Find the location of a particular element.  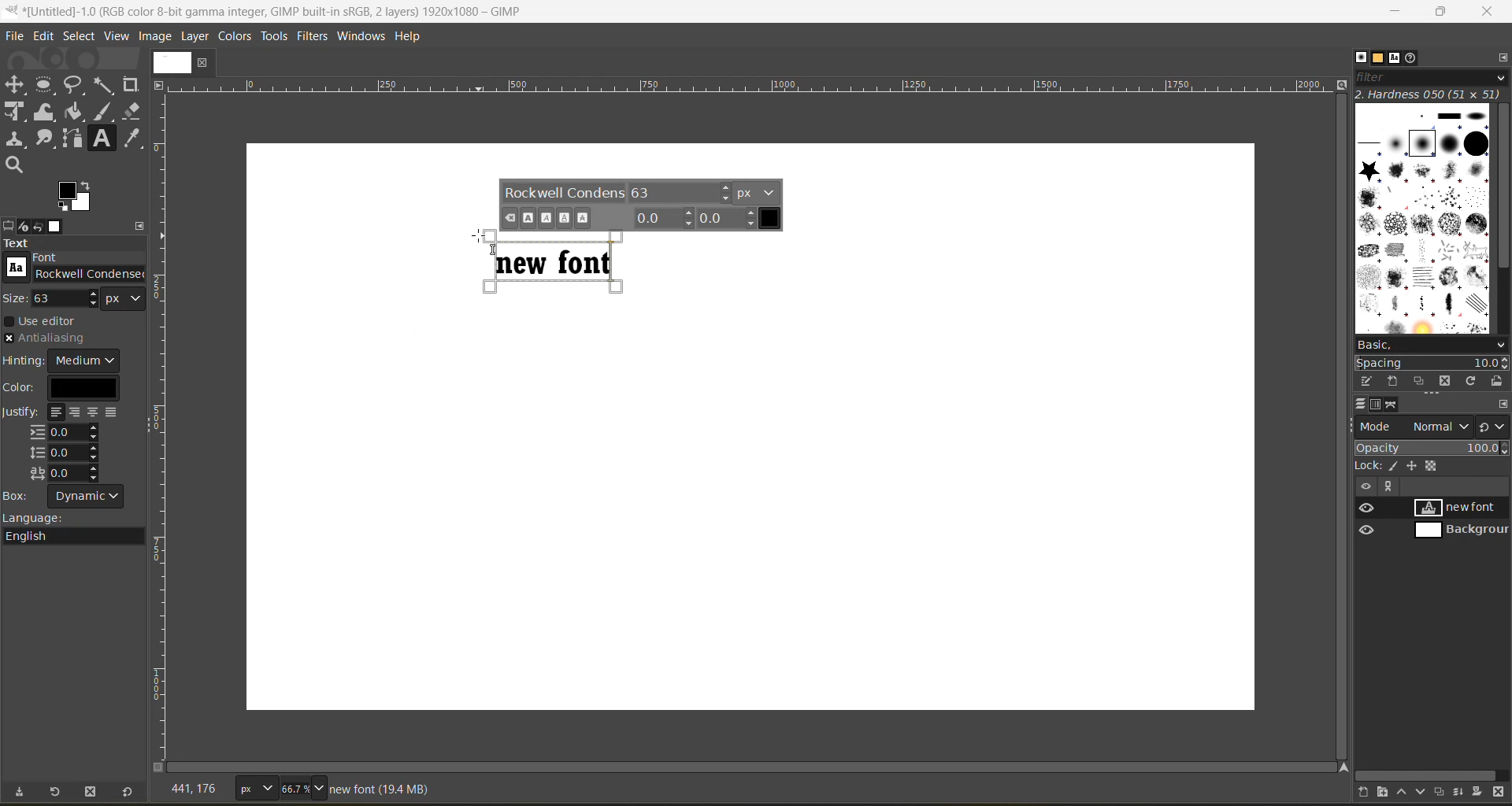

tools is located at coordinates (76, 126).